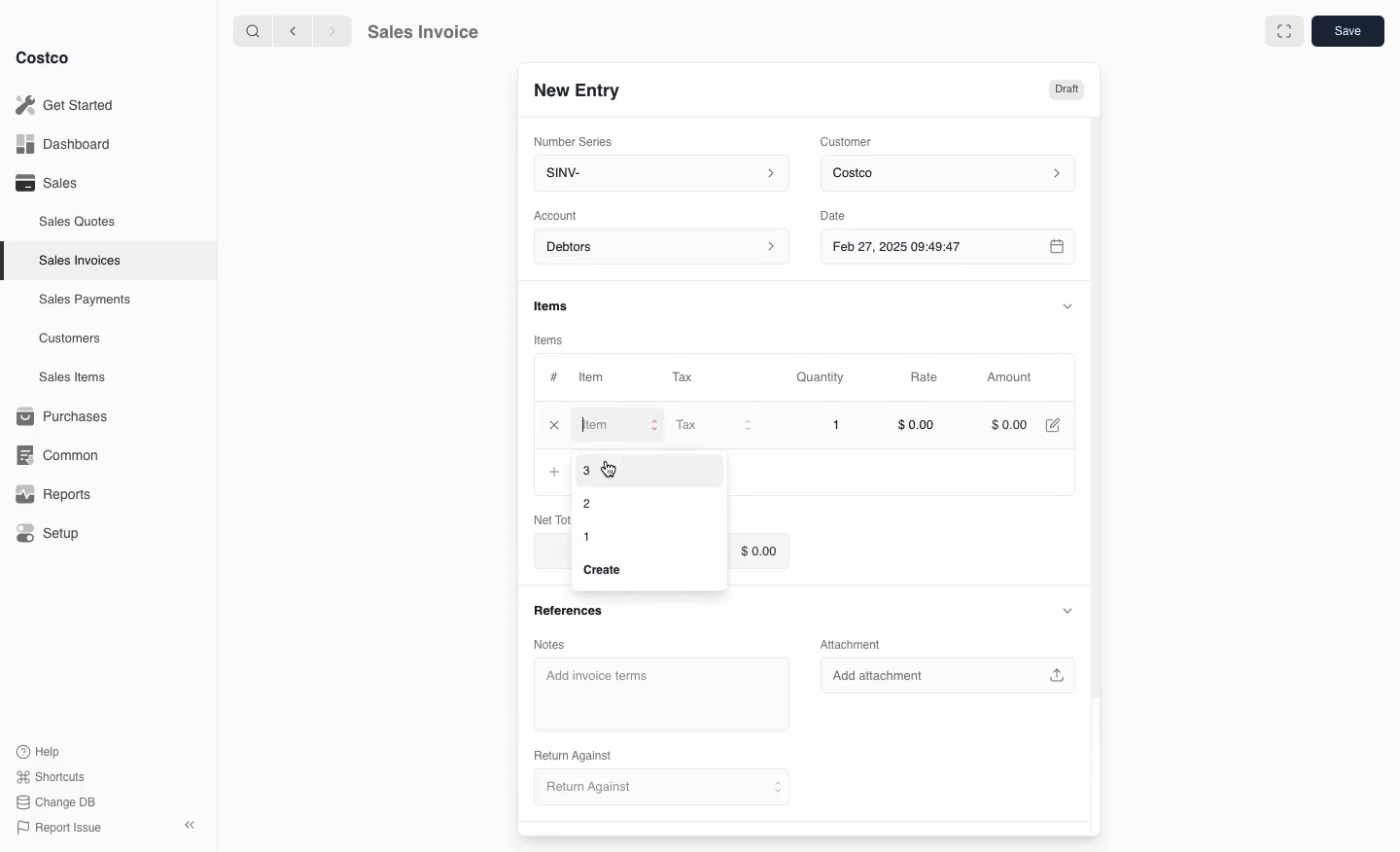 This screenshot has height=852, width=1400. I want to click on Reports, so click(51, 494).